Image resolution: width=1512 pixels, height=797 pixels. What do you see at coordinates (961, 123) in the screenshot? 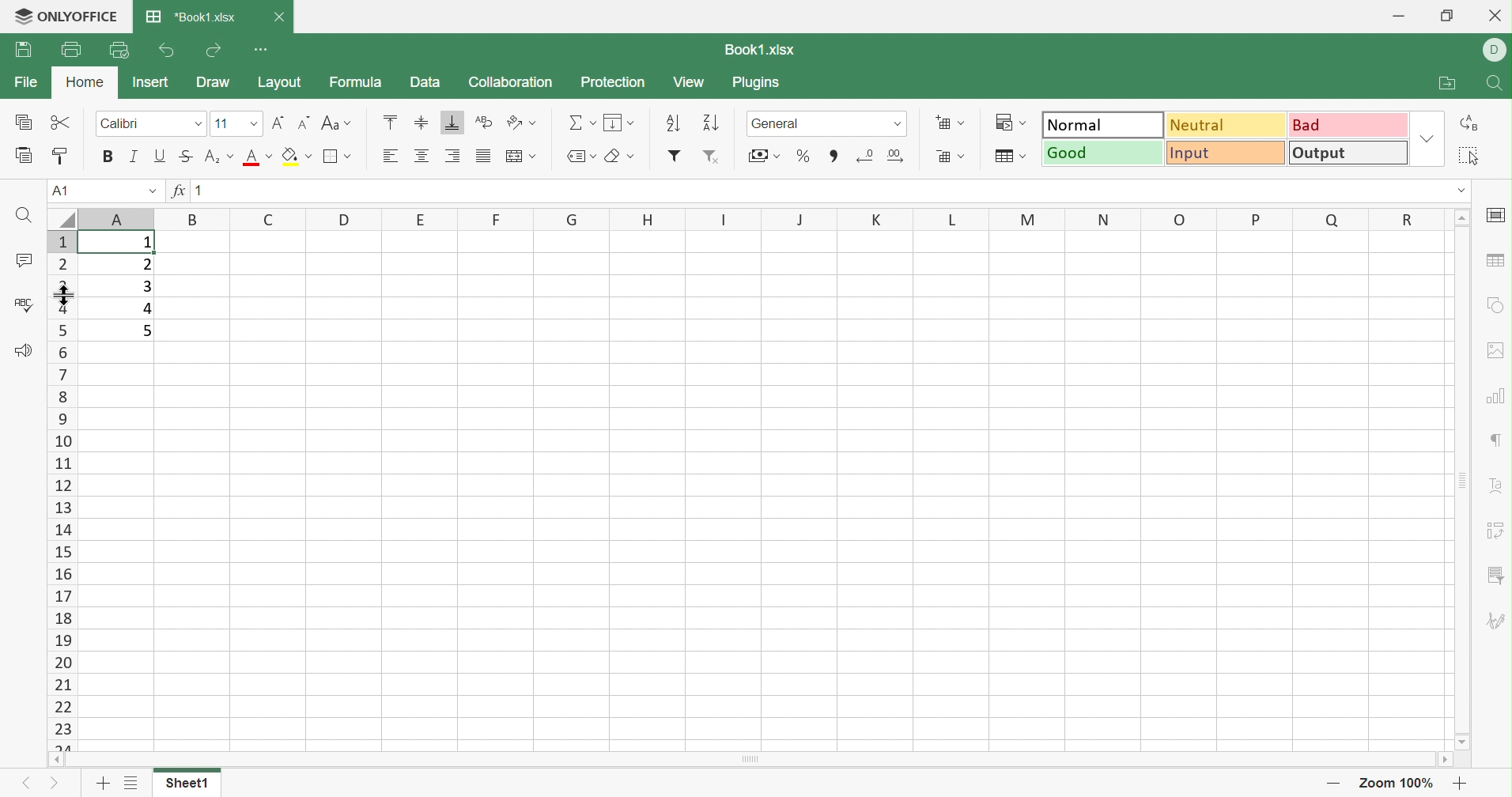
I see `Drop Down` at bounding box center [961, 123].